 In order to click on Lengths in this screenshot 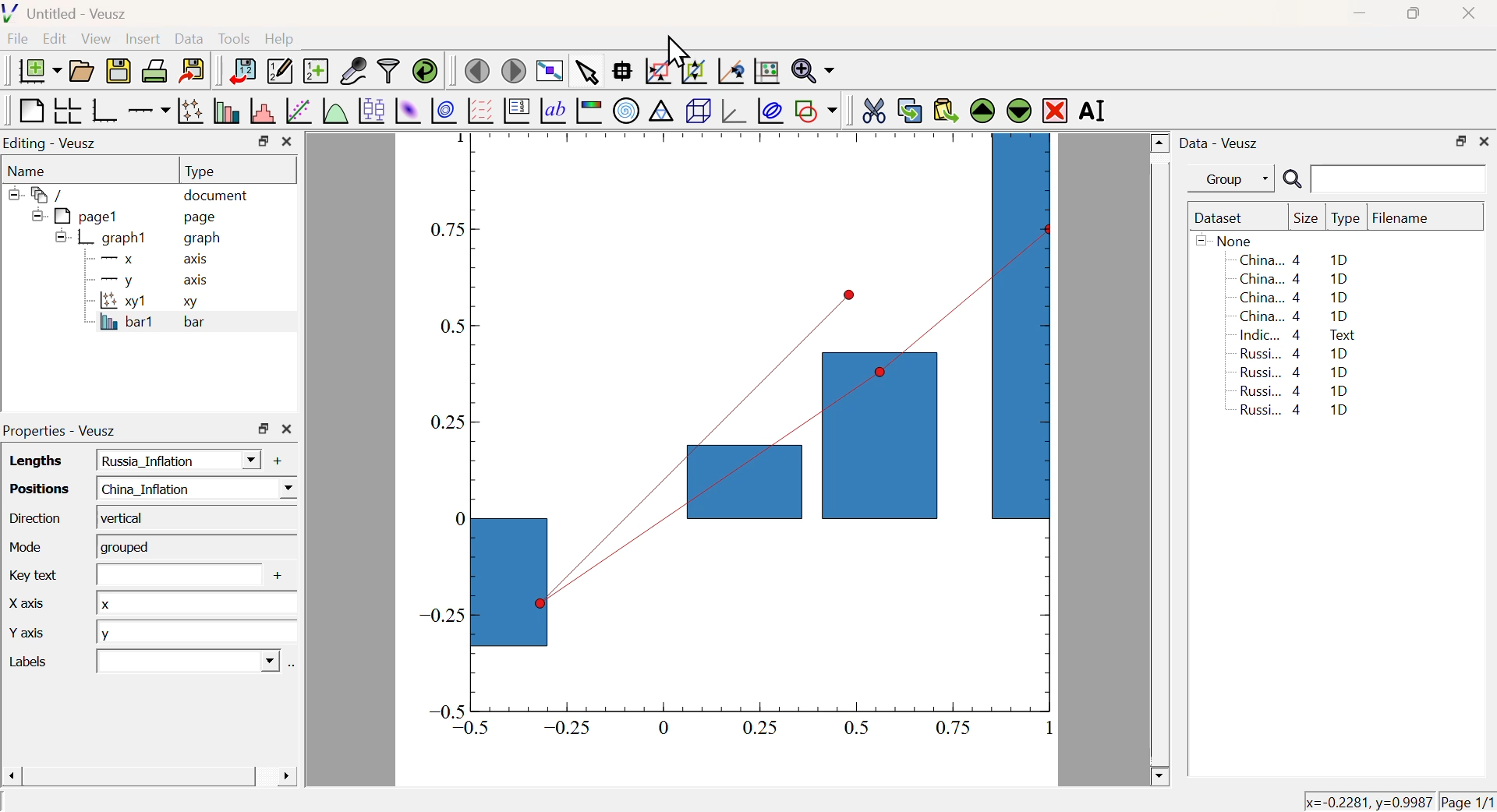, I will do `click(30, 460)`.